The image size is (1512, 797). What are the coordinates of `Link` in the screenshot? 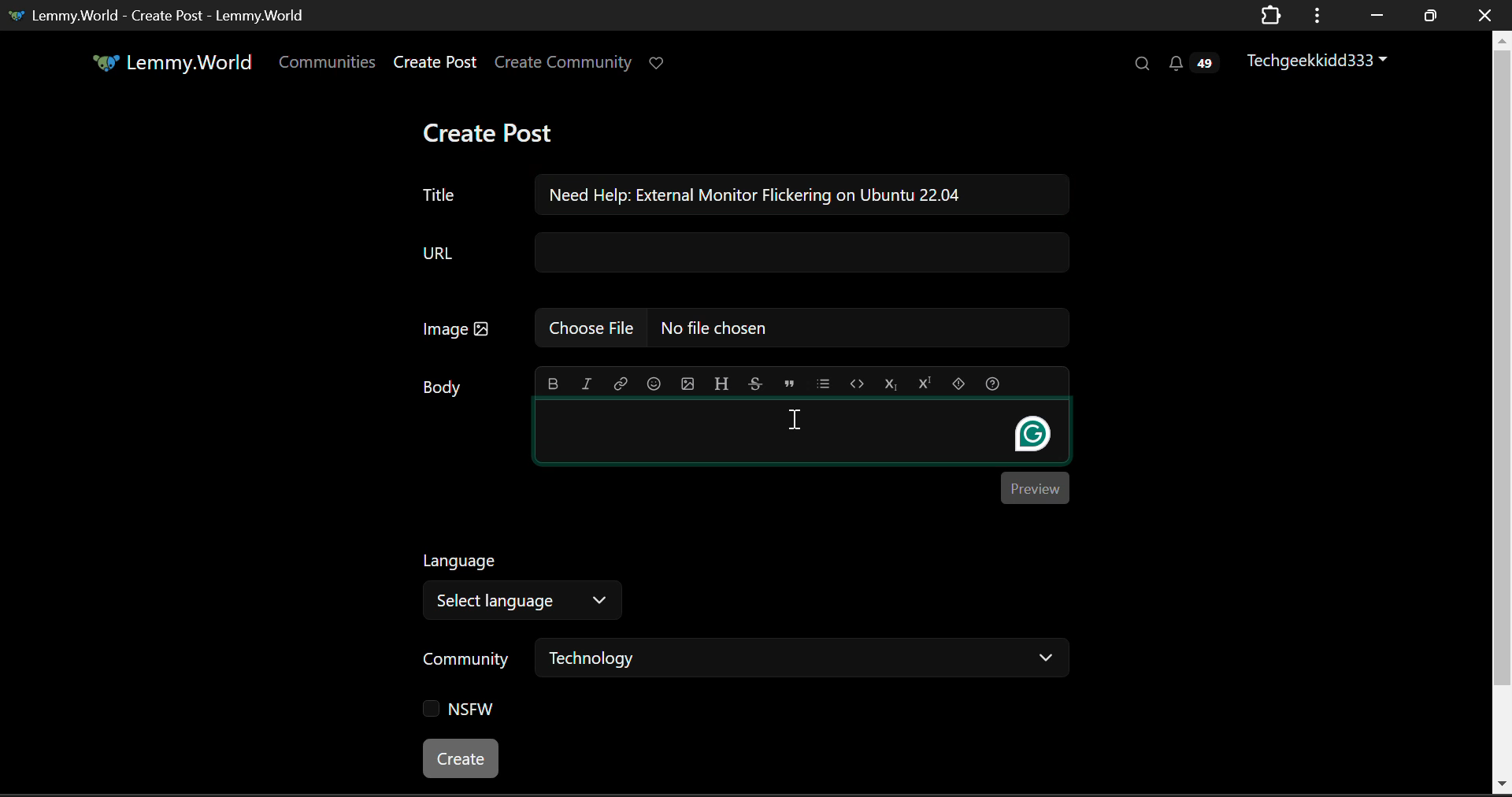 It's located at (618, 385).